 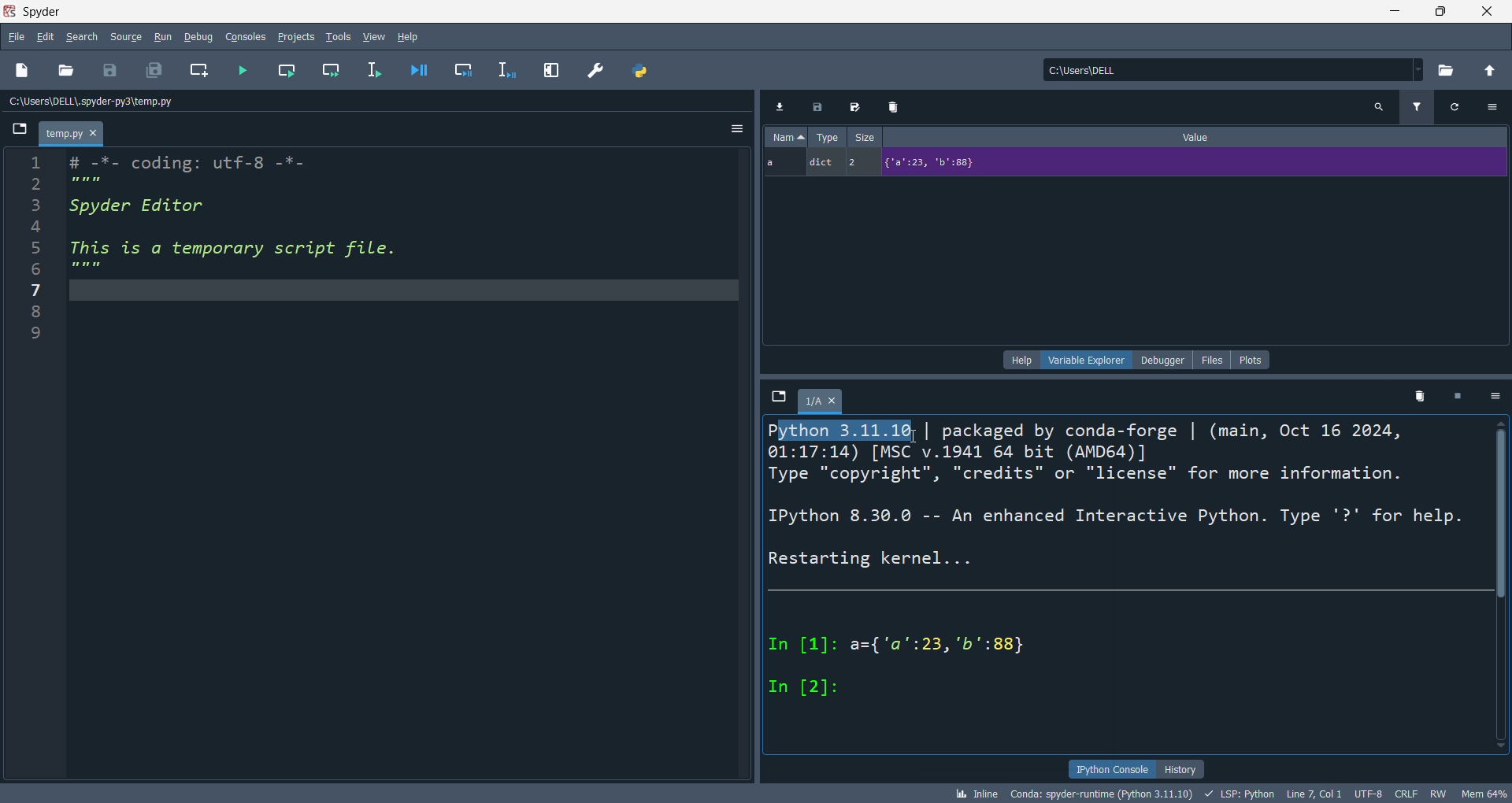 What do you see at coordinates (1098, 795) in the screenshot?
I see `conda: spyder-runtime (Python 3.11.10)` at bounding box center [1098, 795].